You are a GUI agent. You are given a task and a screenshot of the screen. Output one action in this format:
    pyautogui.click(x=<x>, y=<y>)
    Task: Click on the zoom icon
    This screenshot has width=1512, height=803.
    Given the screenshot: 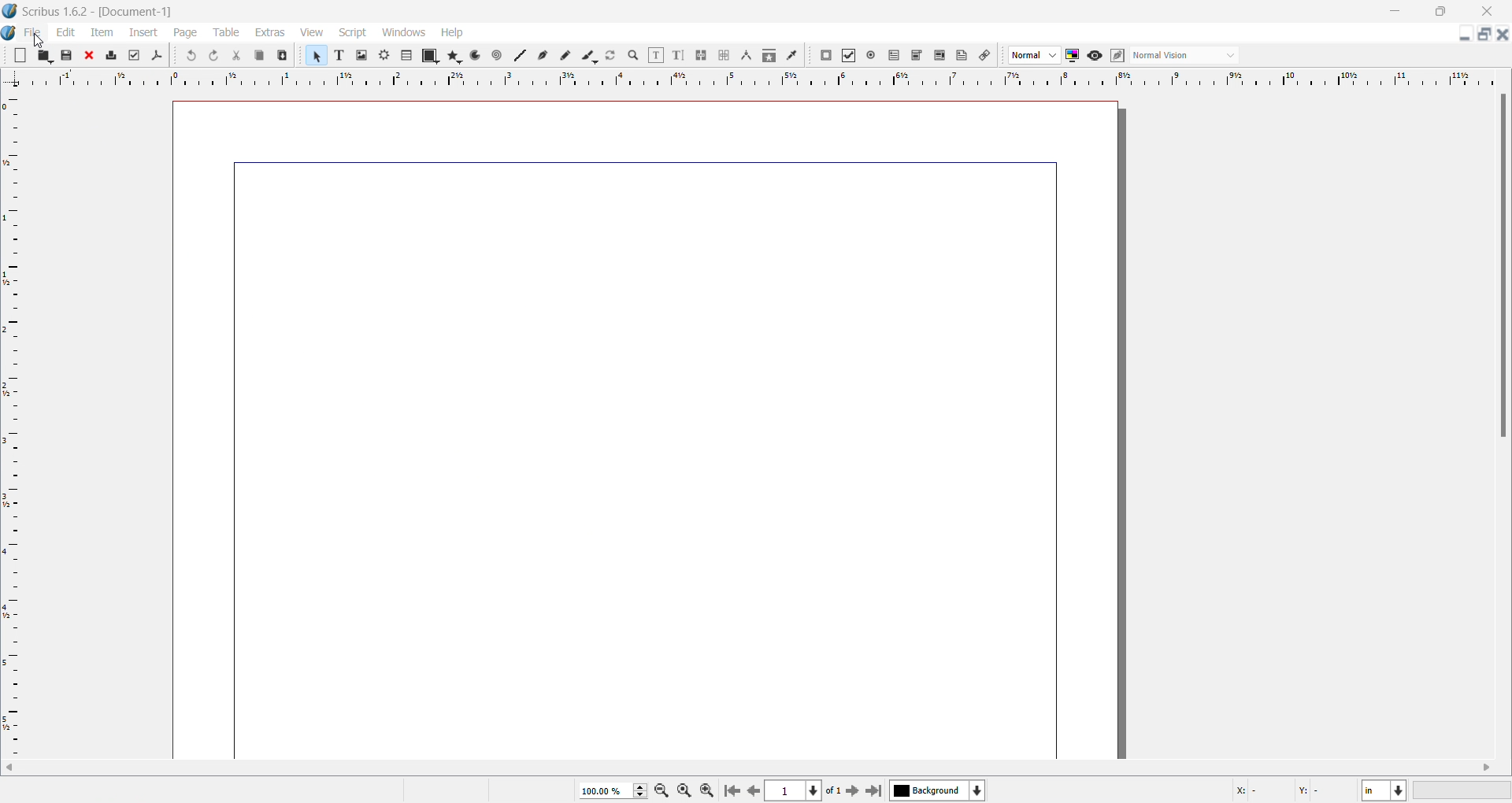 What is the action you would take?
    pyautogui.click(x=711, y=790)
    